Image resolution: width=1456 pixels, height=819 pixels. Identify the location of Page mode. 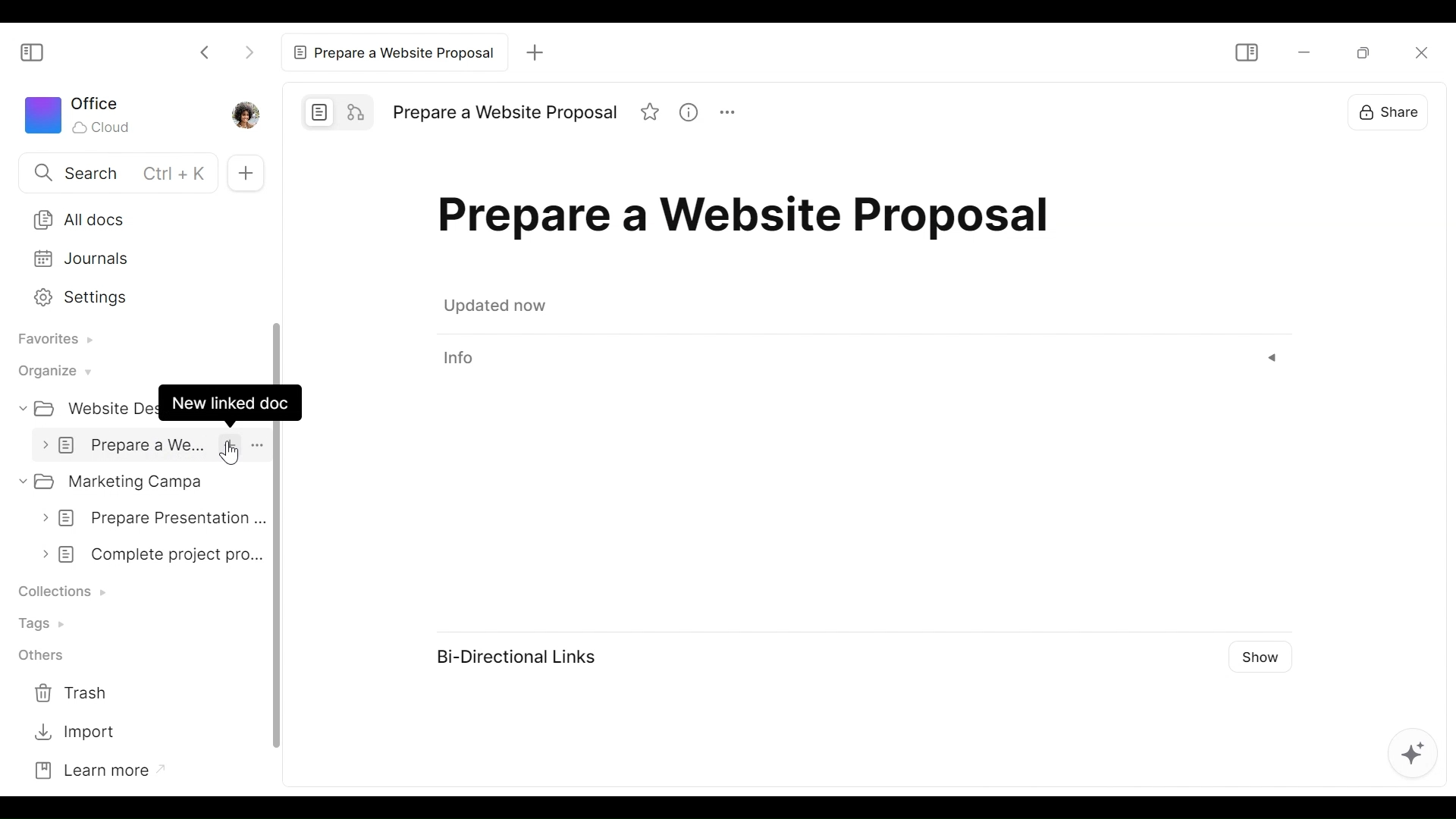
(317, 112).